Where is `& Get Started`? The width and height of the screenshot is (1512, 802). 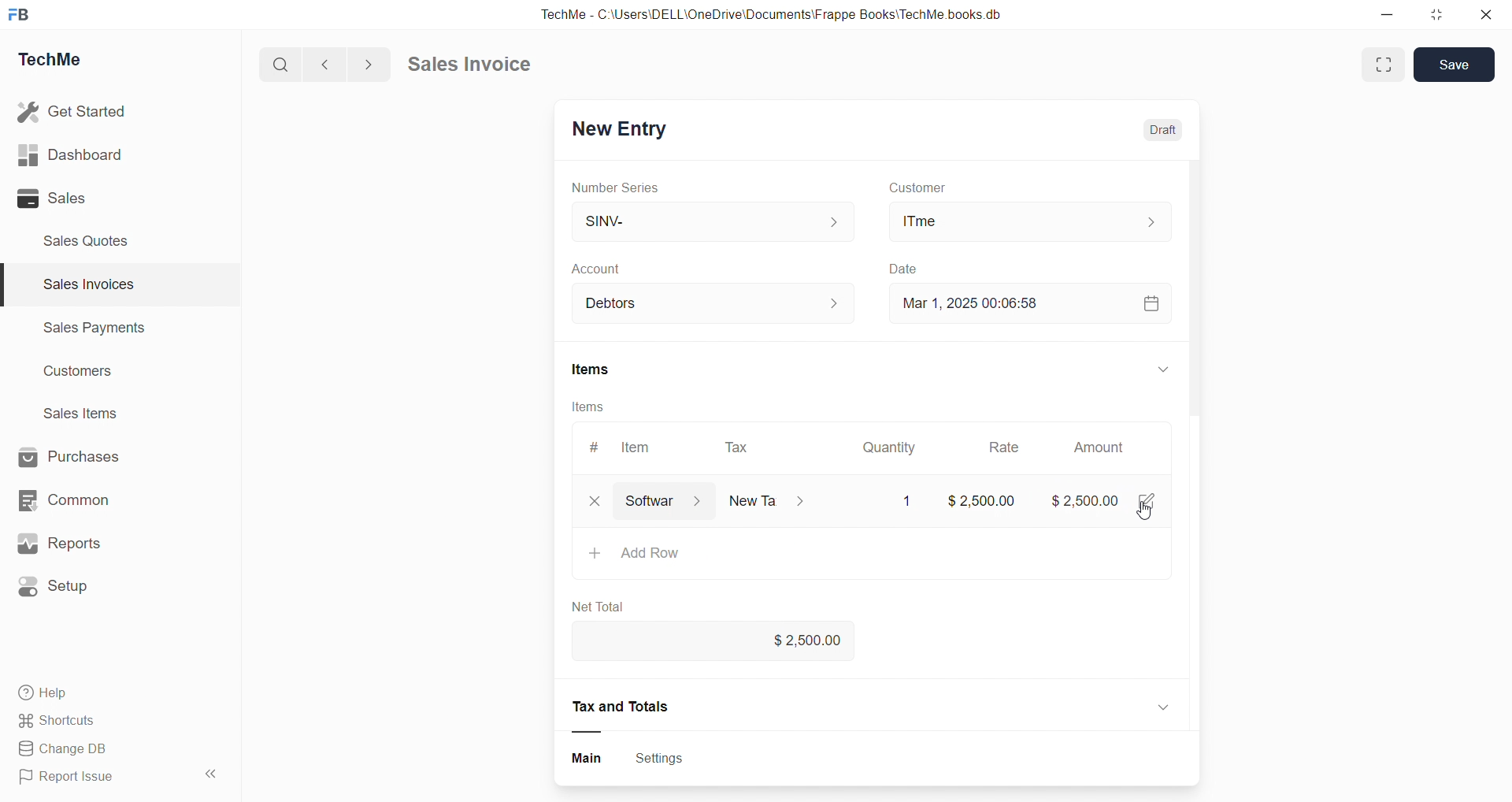
& Get Started is located at coordinates (74, 110).